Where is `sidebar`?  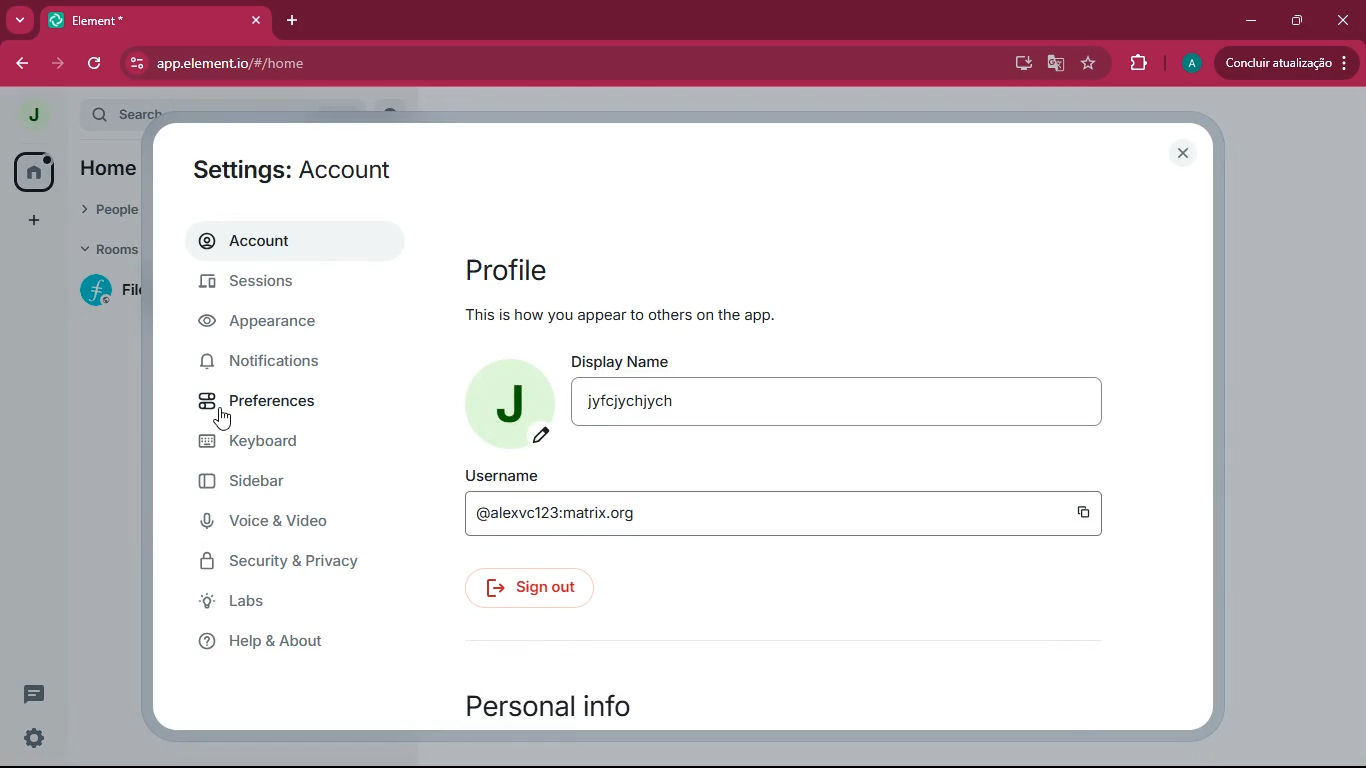 sidebar is located at coordinates (281, 485).